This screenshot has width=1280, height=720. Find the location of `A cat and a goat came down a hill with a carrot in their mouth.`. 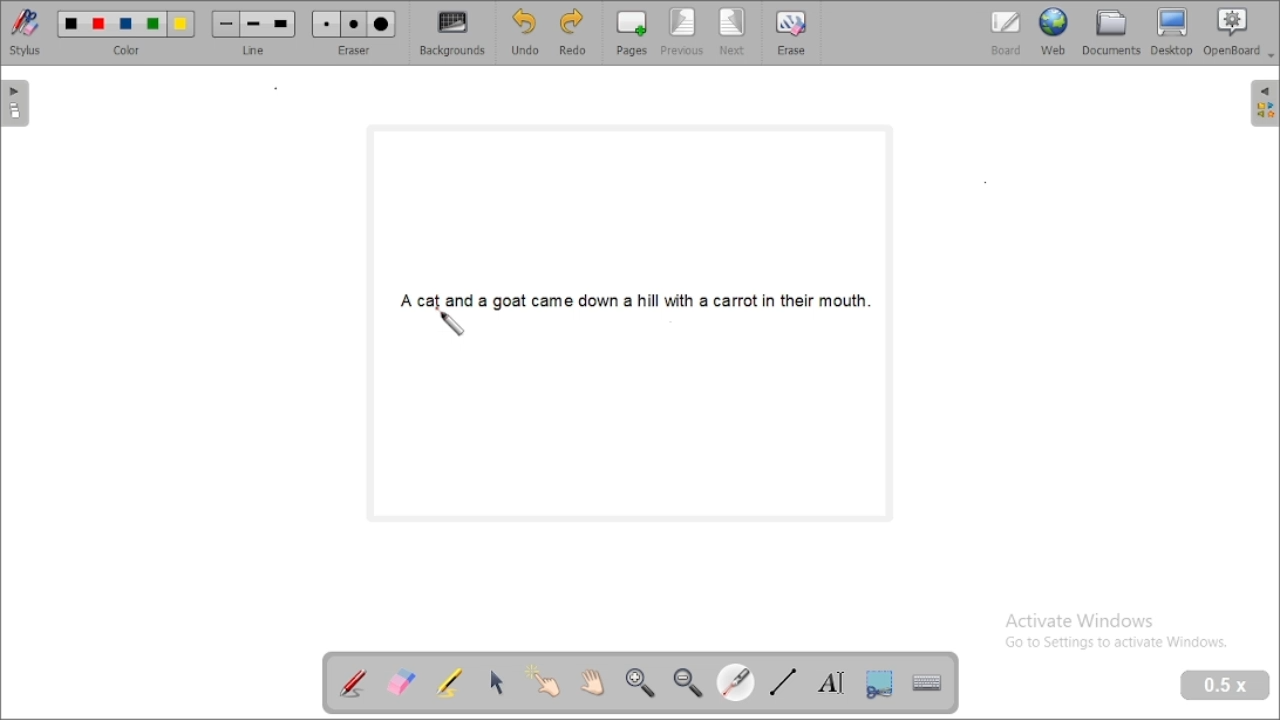

A cat and a goat came down a hill with a carrot in their mouth. is located at coordinates (634, 300).